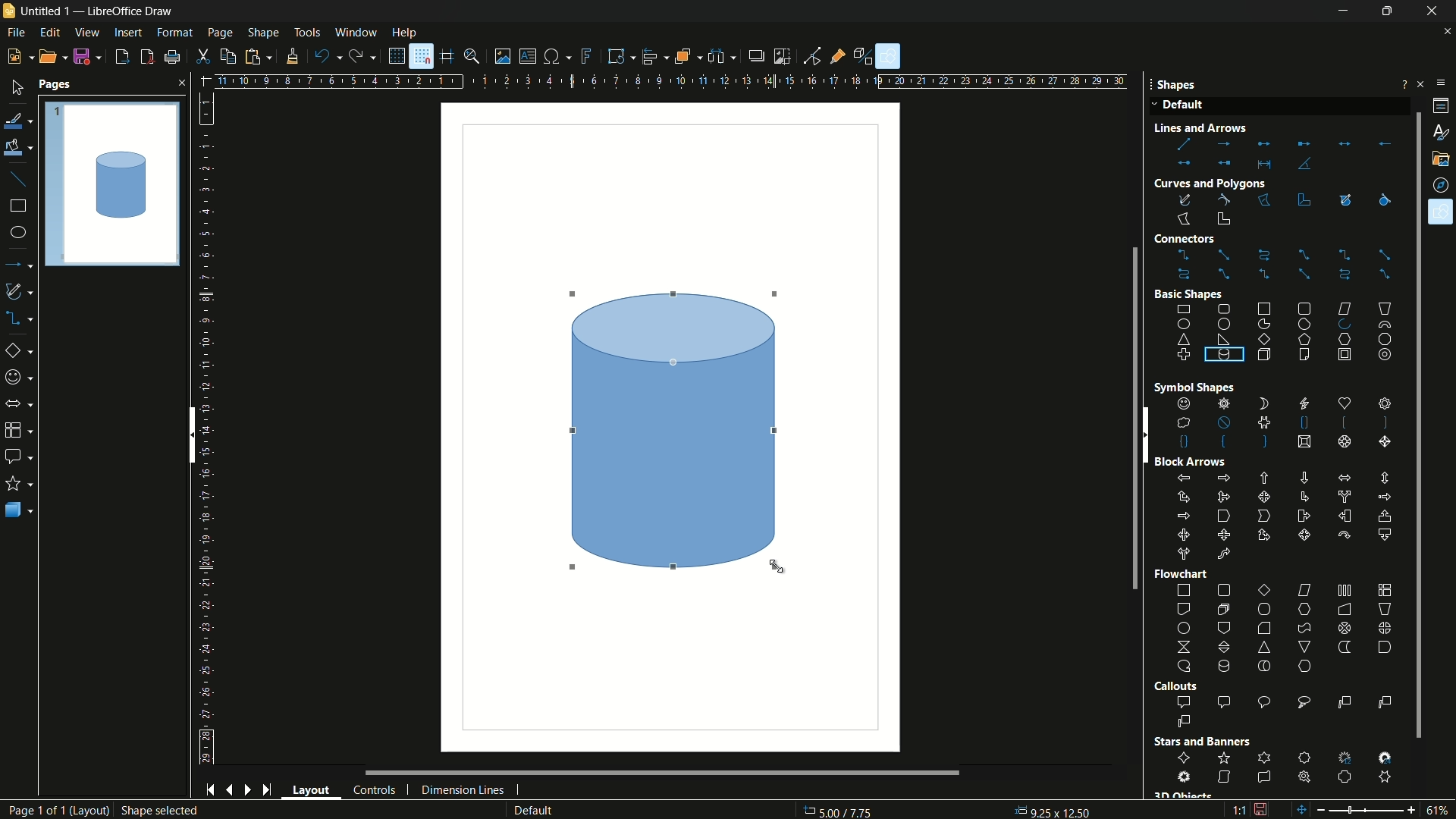 This screenshot has width=1456, height=819. I want to click on Line and Arrow, so click(1224, 127).